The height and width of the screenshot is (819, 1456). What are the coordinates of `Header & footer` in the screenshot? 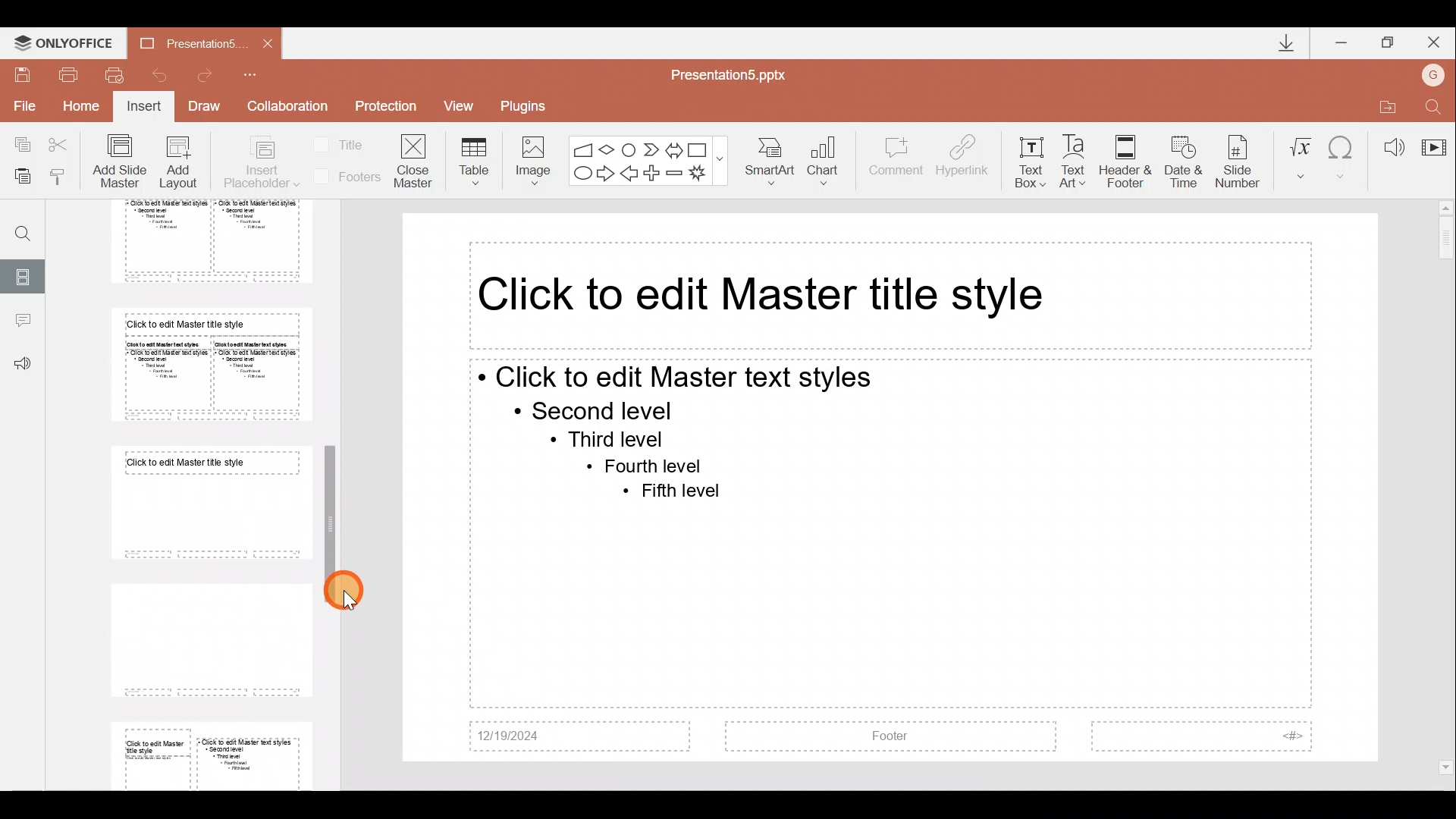 It's located at (1125, 161).